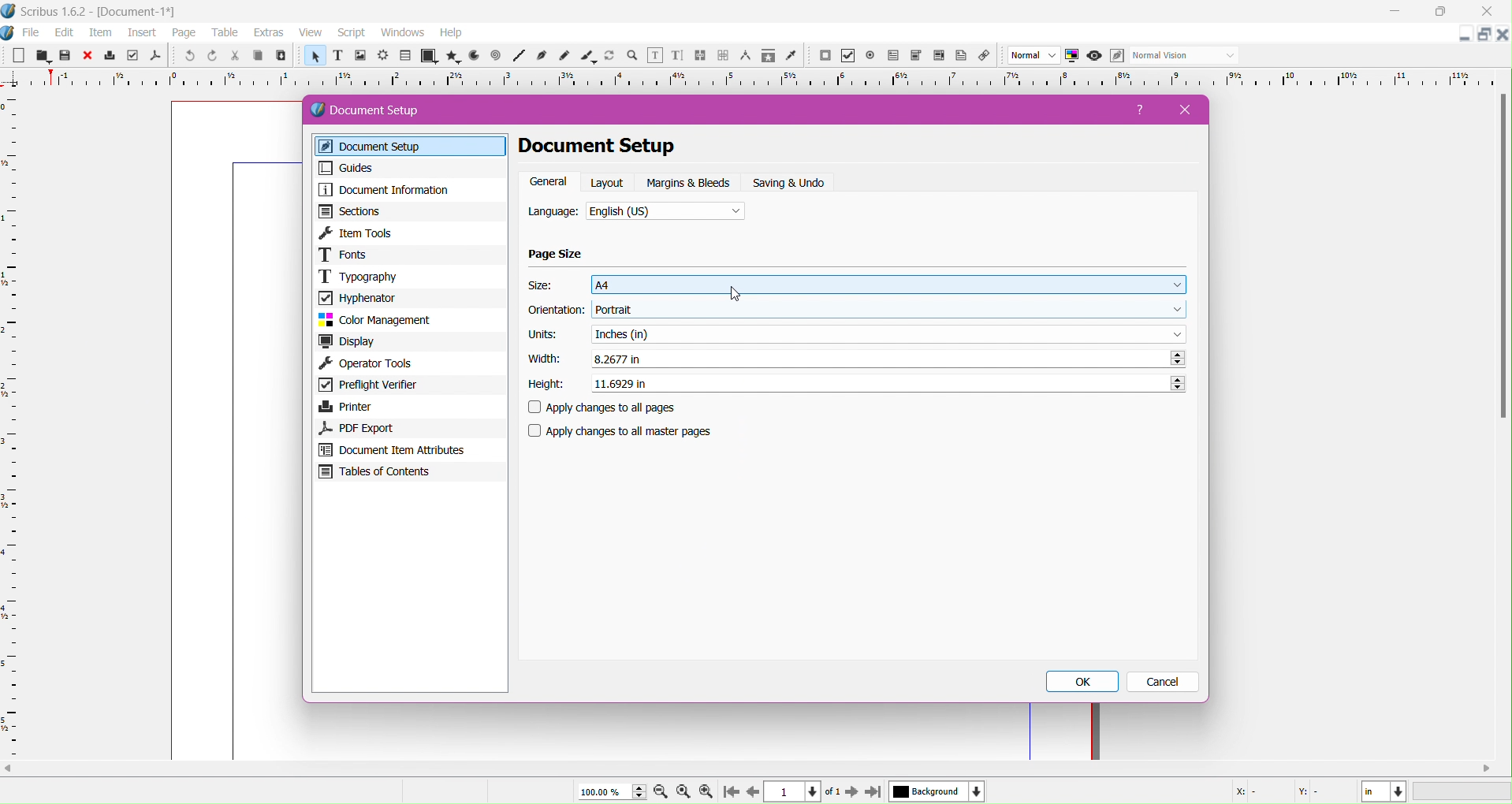 The image size is (1512, 804). Describe the element at coordinates (546, 385) in the screenshot. I see `Height` at that location.